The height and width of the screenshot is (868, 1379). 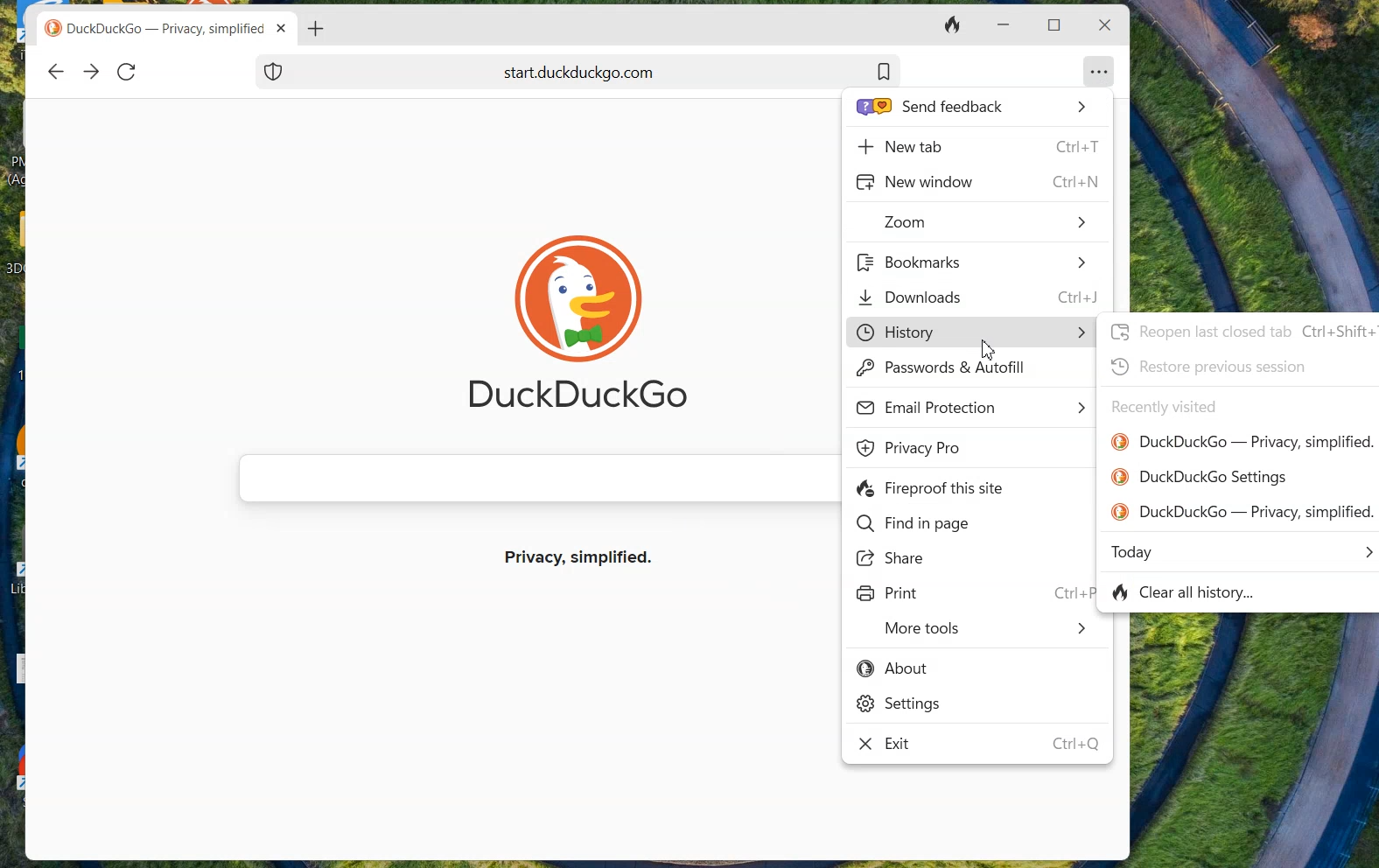 I want to click on Today, so click(x=1243, y=552).